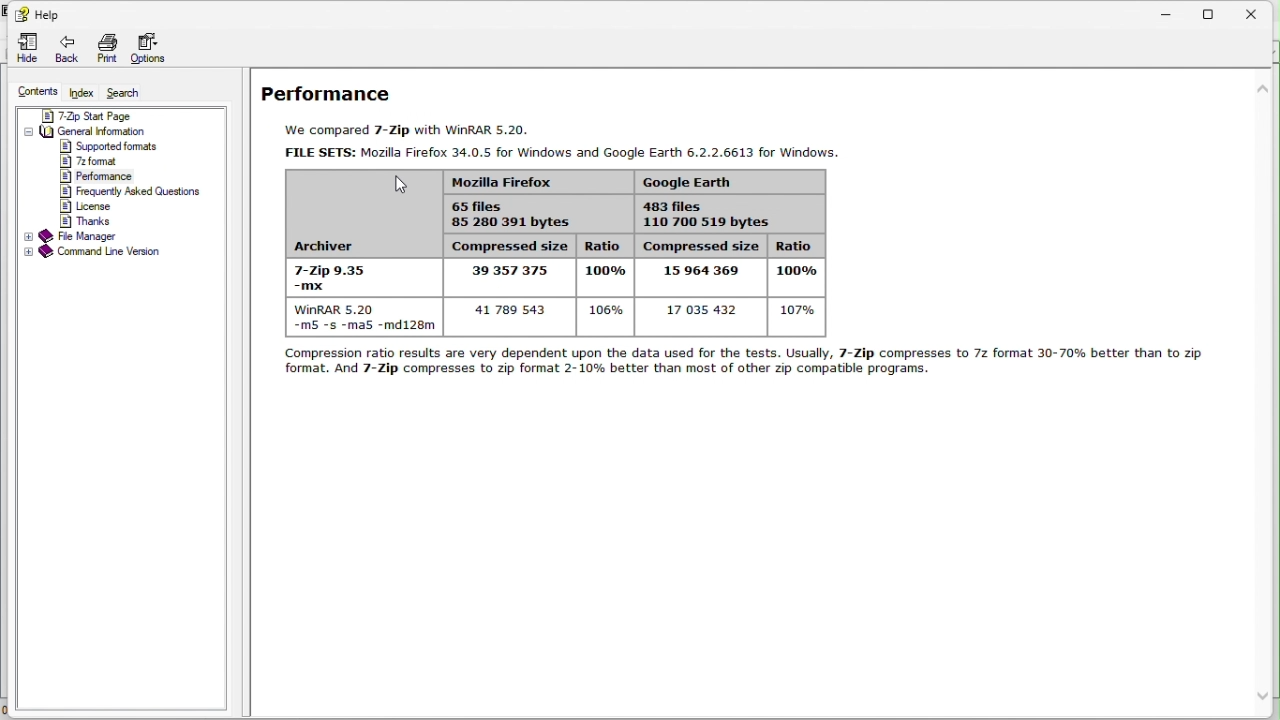  I want to click on 7 zip Start page, so click(100, 115).